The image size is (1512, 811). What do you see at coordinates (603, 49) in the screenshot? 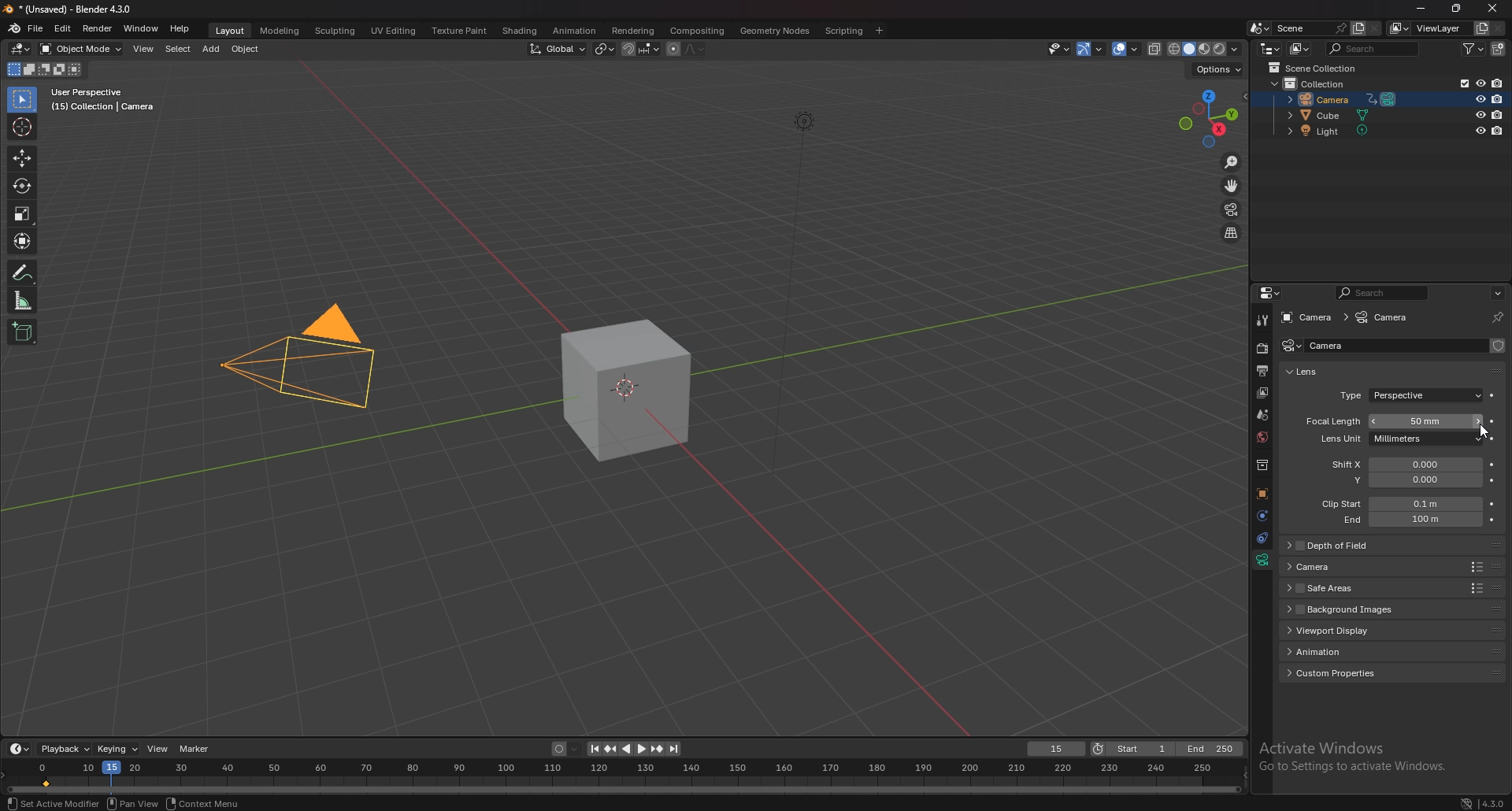
I see `transform pivot point` at bounding box center [603, 49].